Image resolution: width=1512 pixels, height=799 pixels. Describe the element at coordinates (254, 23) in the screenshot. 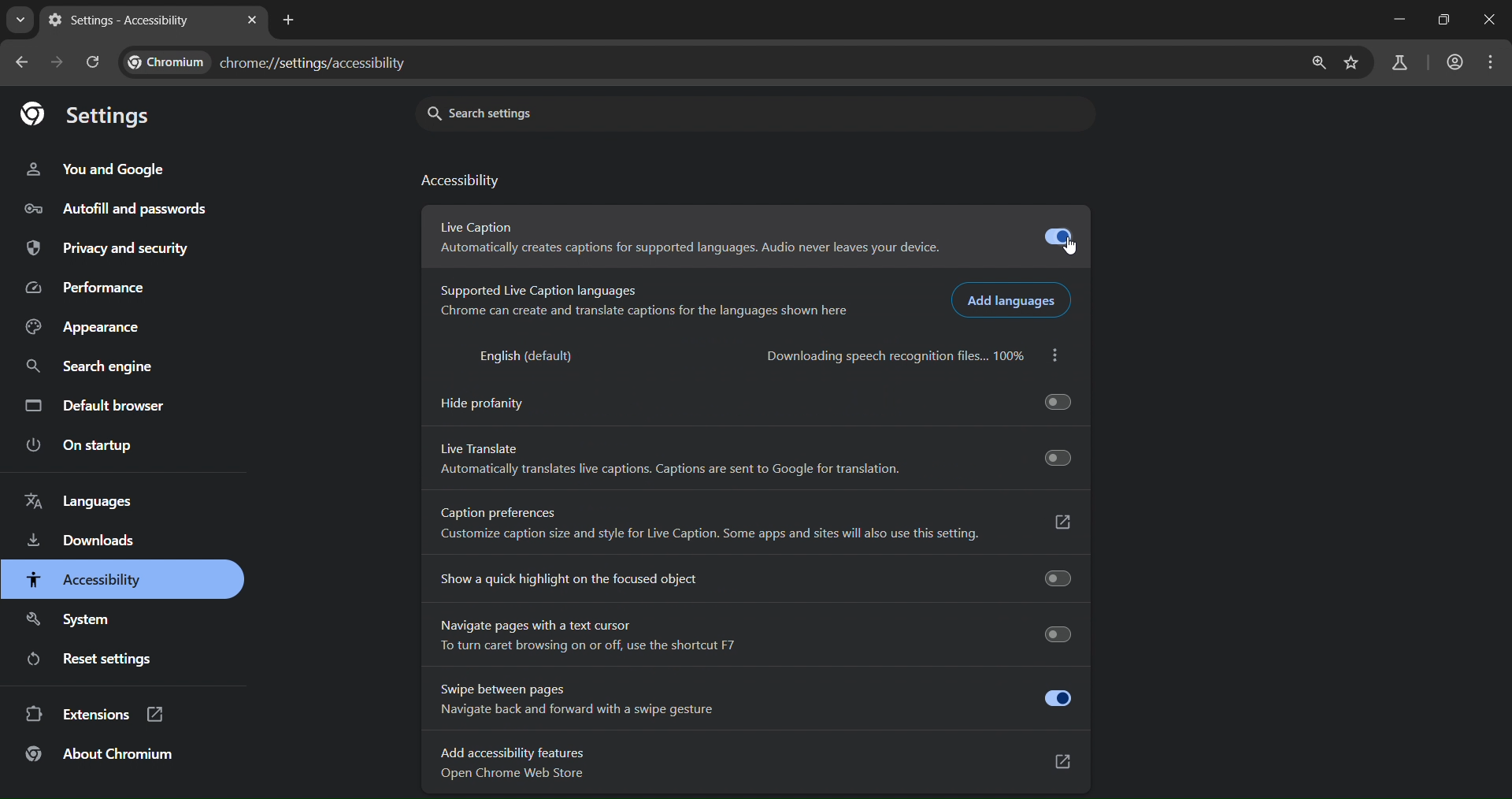

I see `close tab` at that location.